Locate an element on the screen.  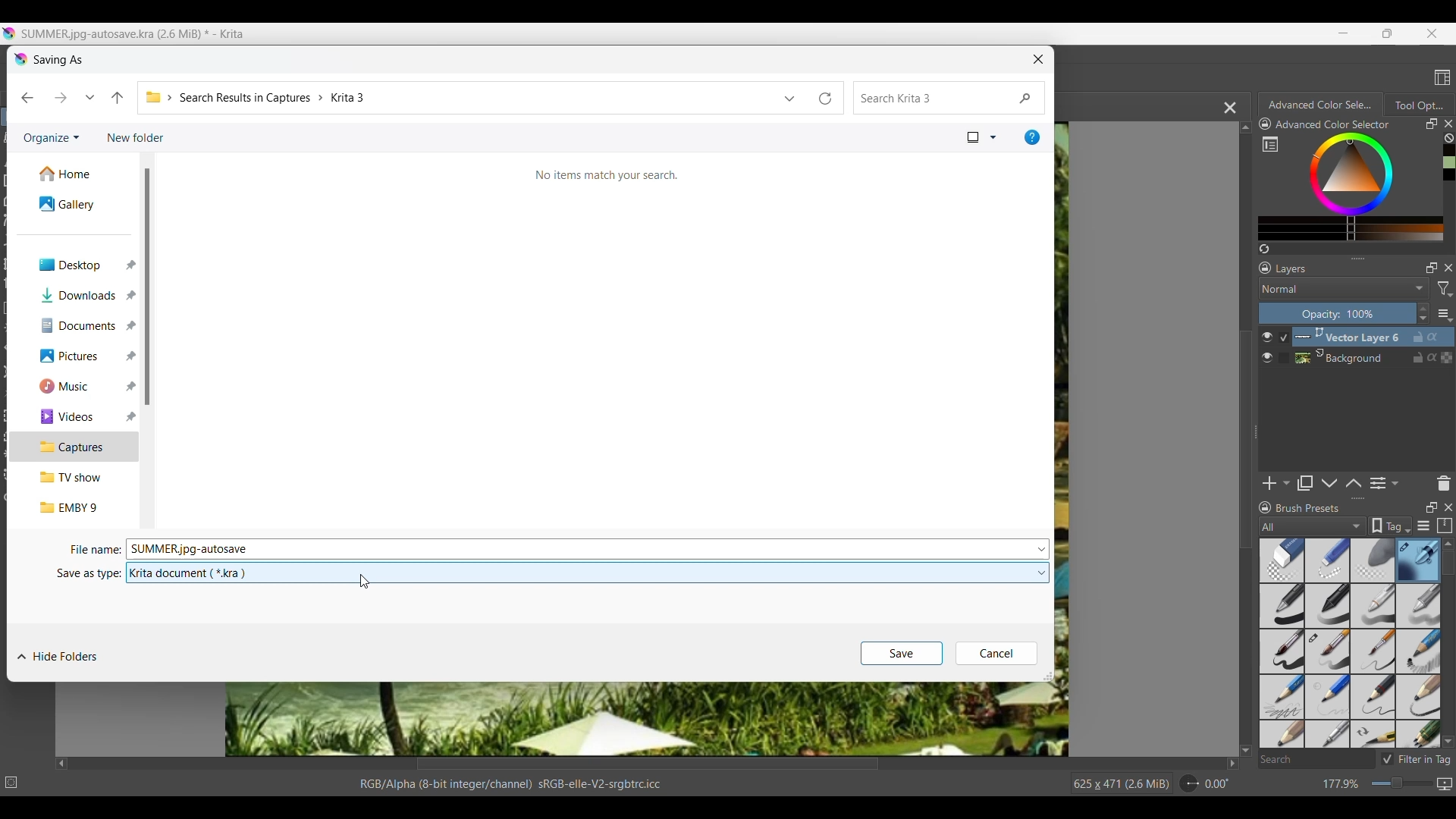
Cursor is located at coordinates (358, 585).